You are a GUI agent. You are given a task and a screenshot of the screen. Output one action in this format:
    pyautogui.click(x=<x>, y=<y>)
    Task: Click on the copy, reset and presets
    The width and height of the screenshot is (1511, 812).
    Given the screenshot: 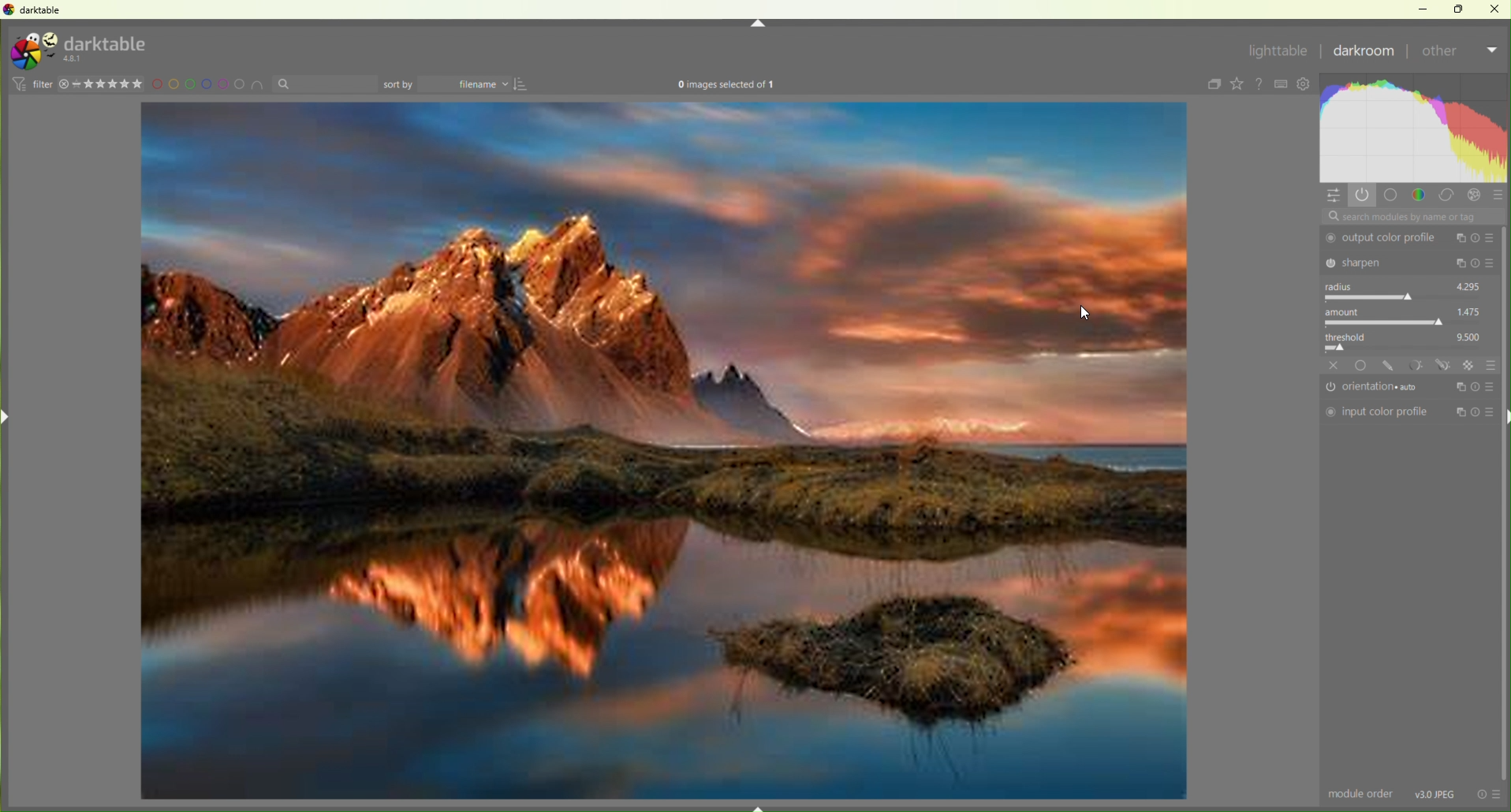 What is the action you would take?
    pyautogui.click(x=1476, y=264)
    